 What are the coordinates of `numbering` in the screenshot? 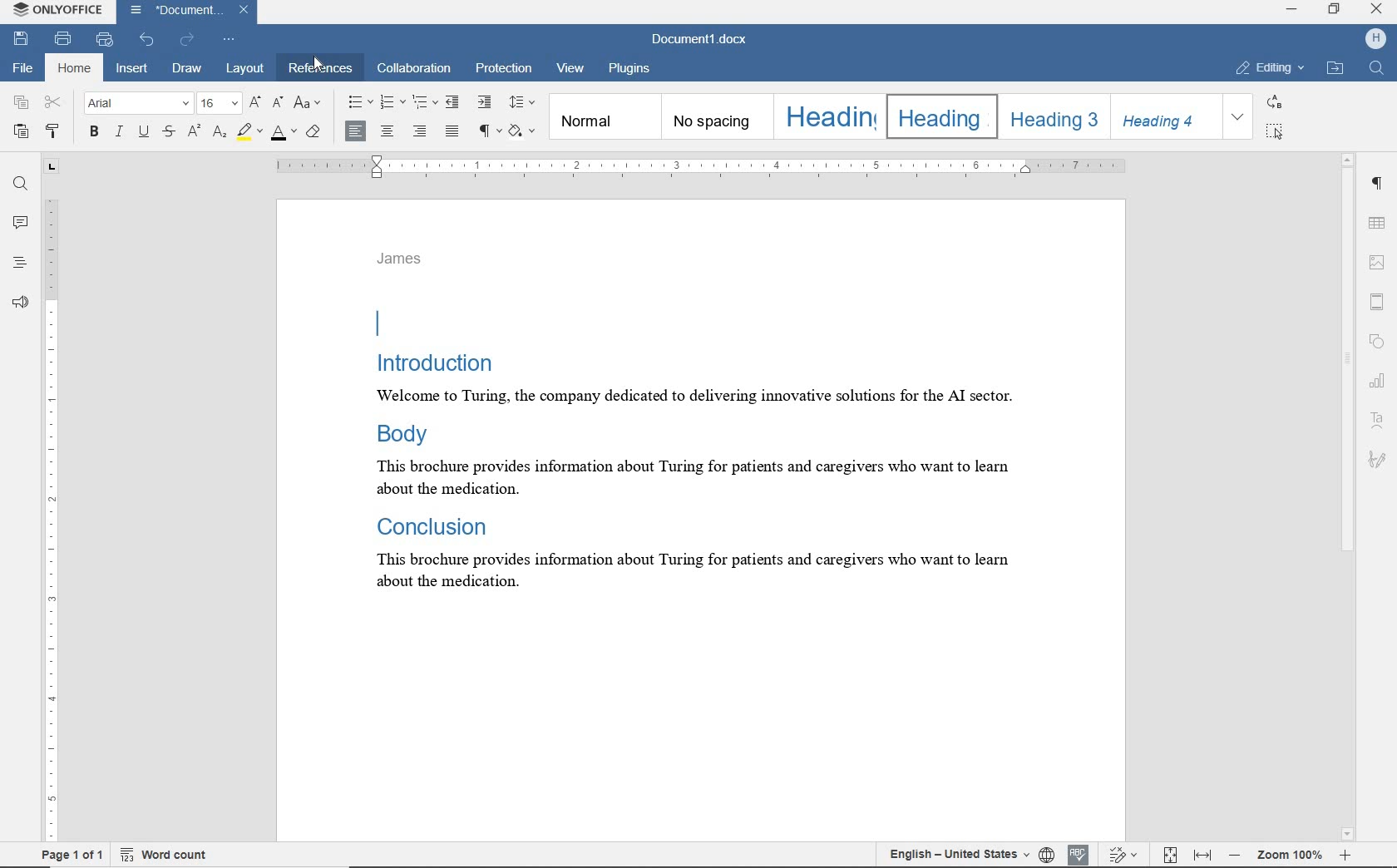 It's located at (392, 101).